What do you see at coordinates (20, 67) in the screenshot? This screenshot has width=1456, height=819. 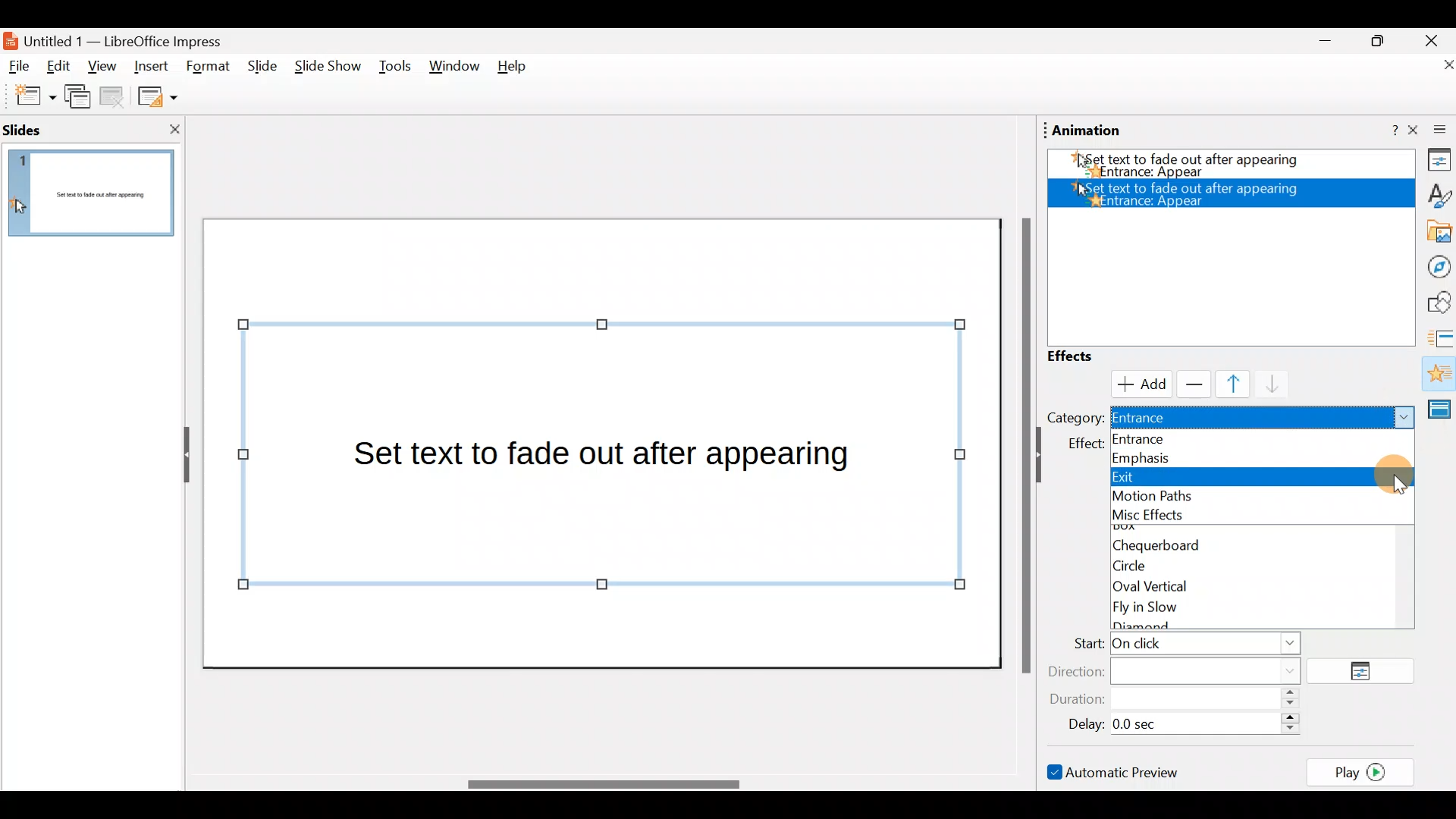 I see `File` at bounding box center [20, 67].